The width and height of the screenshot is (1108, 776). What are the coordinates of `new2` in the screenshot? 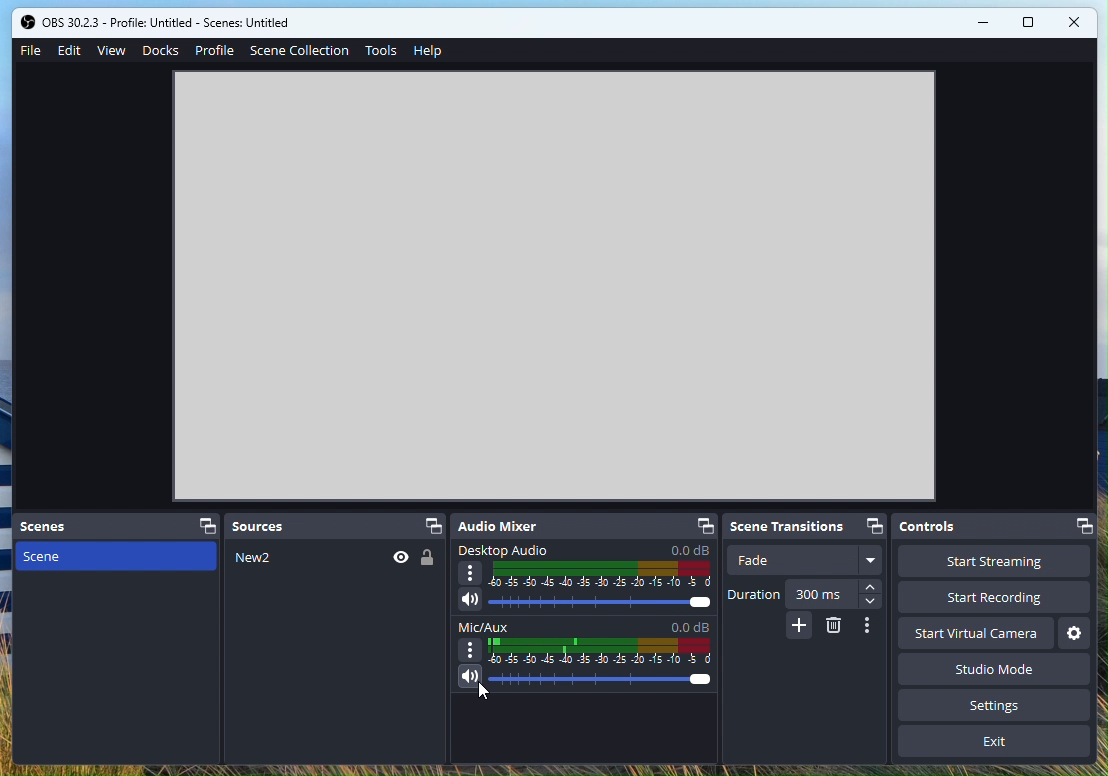 It's located at (333, 558).